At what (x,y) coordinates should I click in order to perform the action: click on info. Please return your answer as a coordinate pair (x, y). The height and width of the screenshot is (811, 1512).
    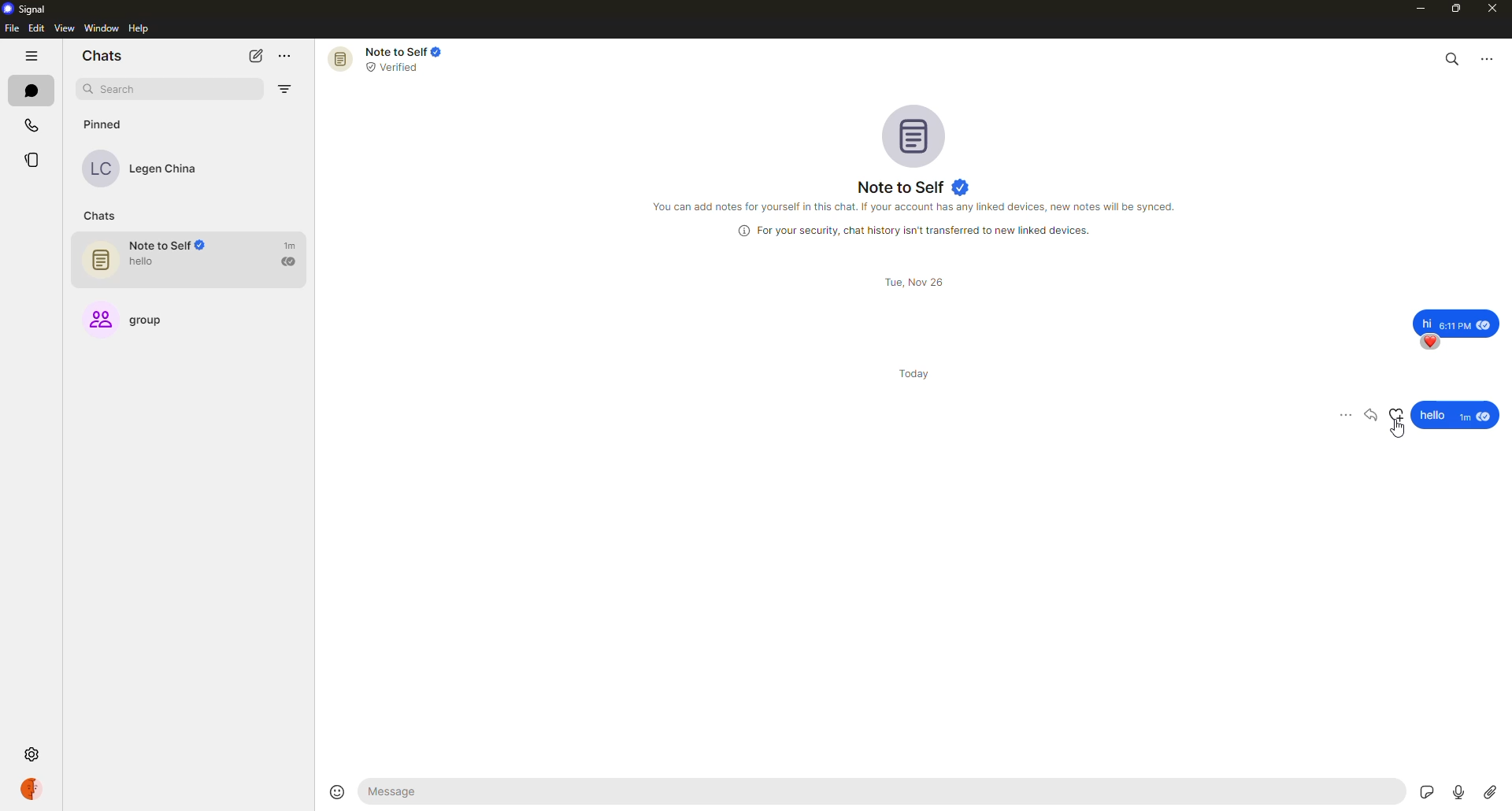
    Looking at the image, I should click on (917, 206).